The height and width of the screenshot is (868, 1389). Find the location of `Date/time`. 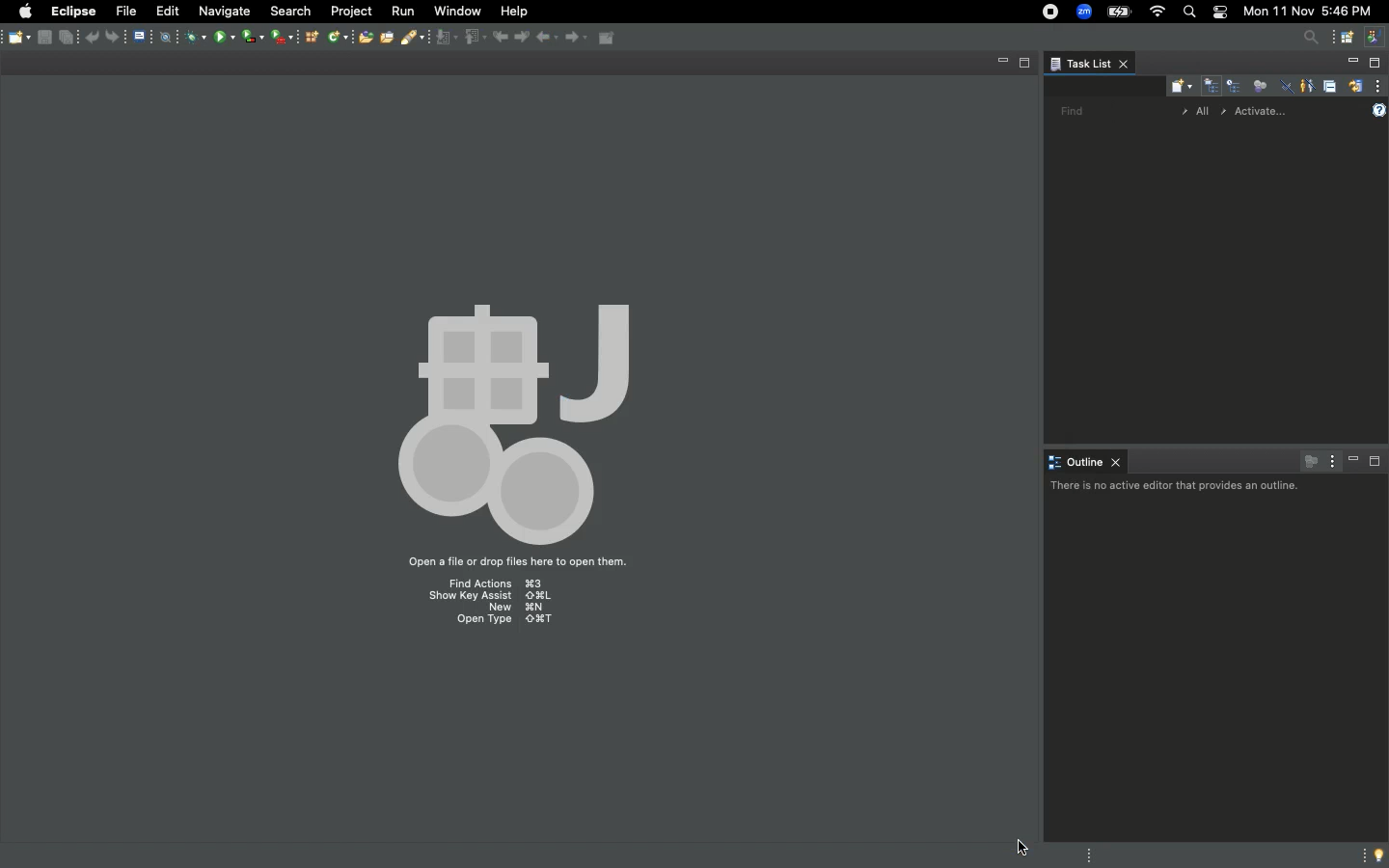

Date/time is located at coordinates (1314, 12).